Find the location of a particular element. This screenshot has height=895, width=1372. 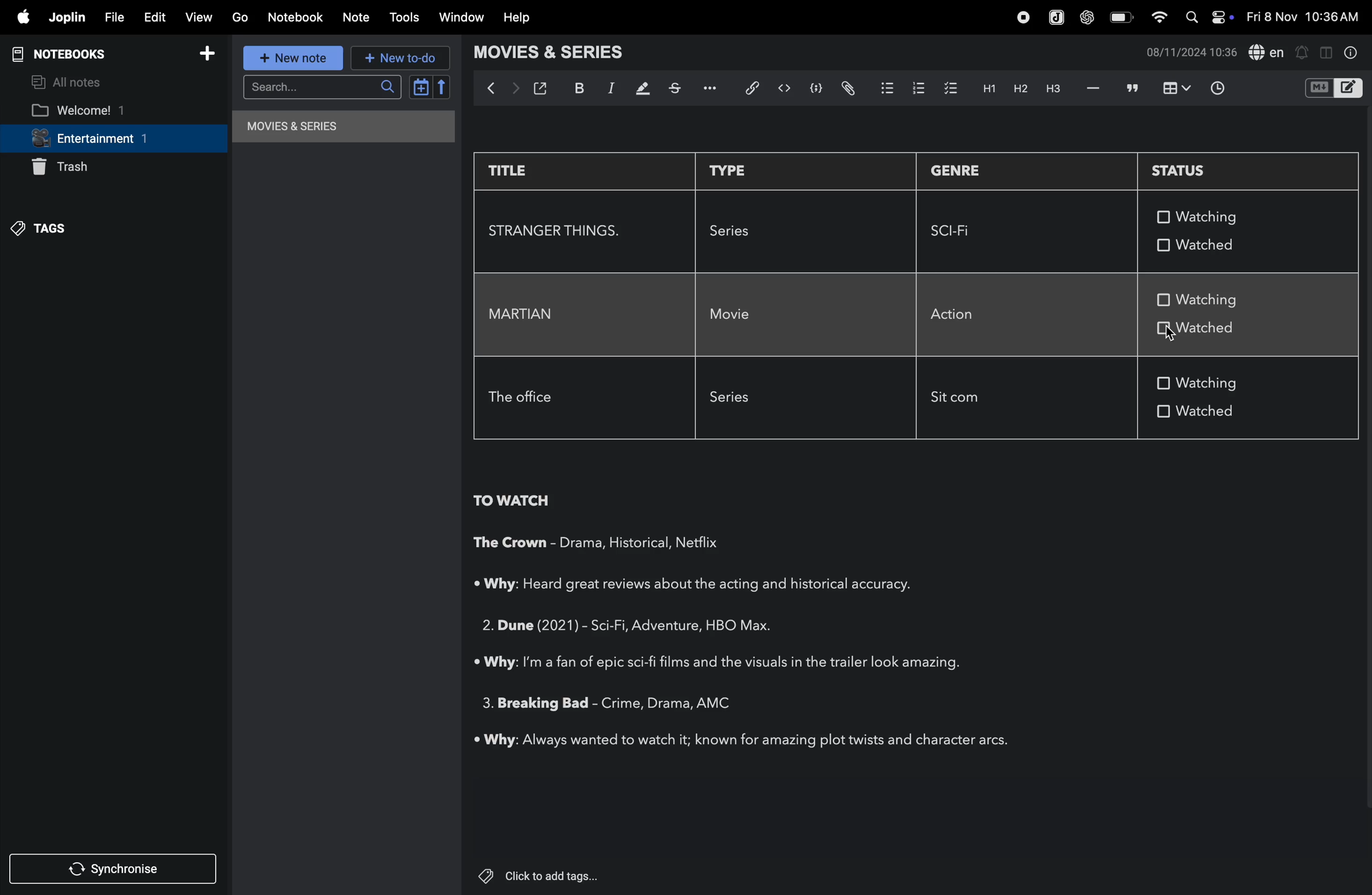

block quote is located at coordinates (1132, 88).